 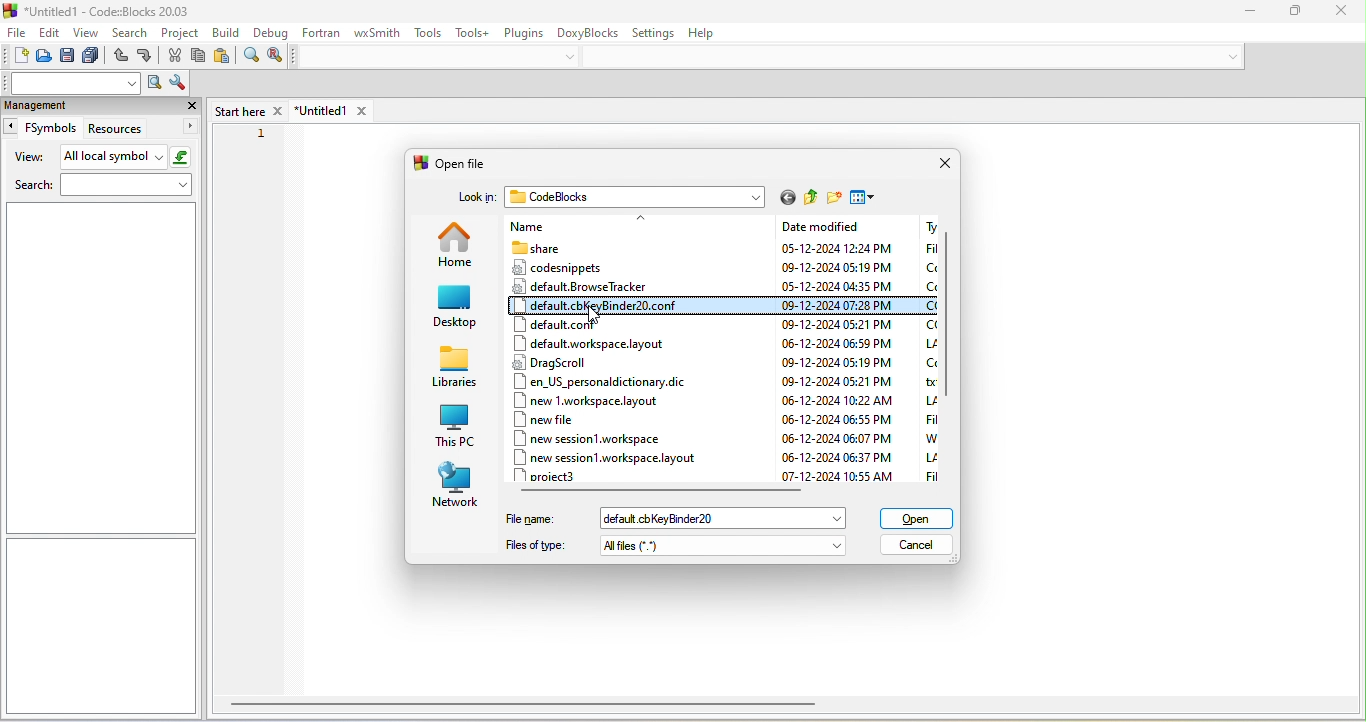 What do you see at coordinates (1344, 13) in the screenshot?
I see `close` at bounding box center [1344, 13].